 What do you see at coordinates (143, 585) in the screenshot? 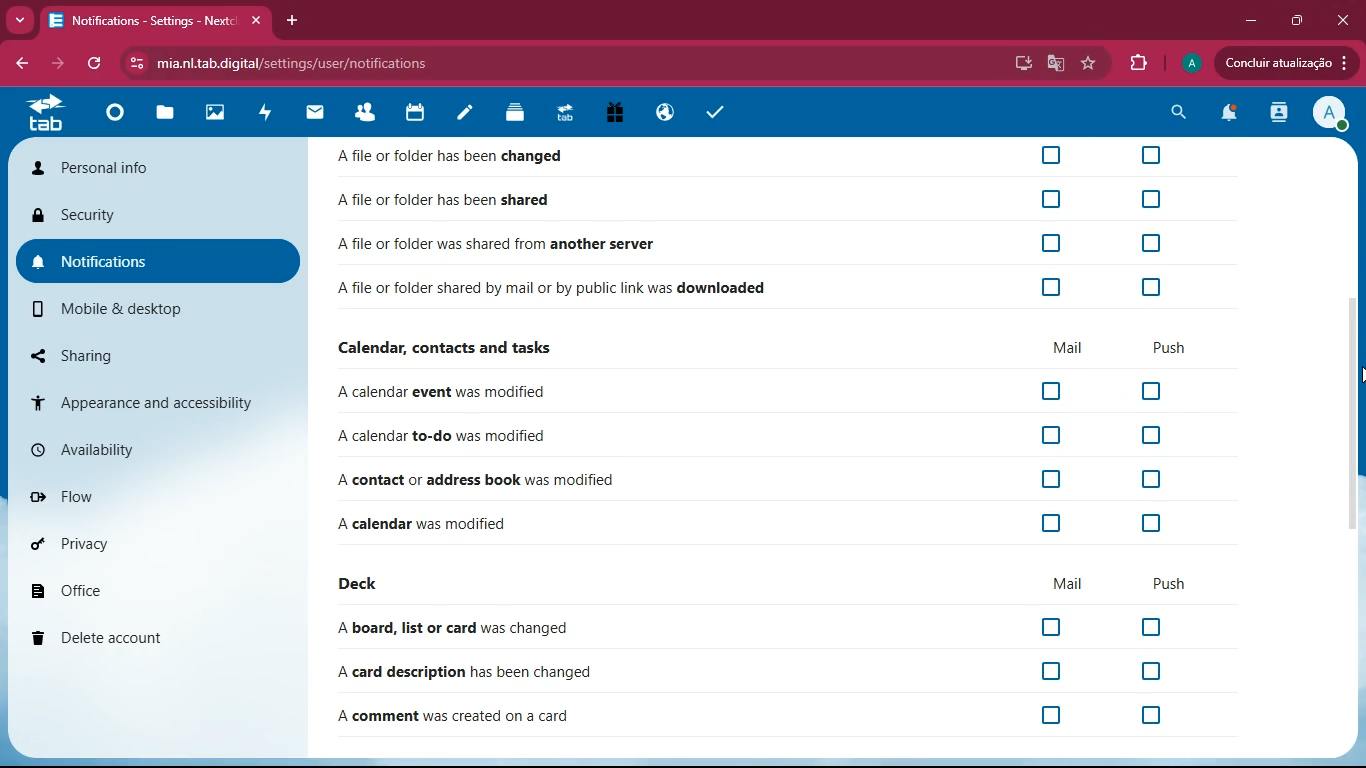
I see `office` at bounding box center [143, 585].